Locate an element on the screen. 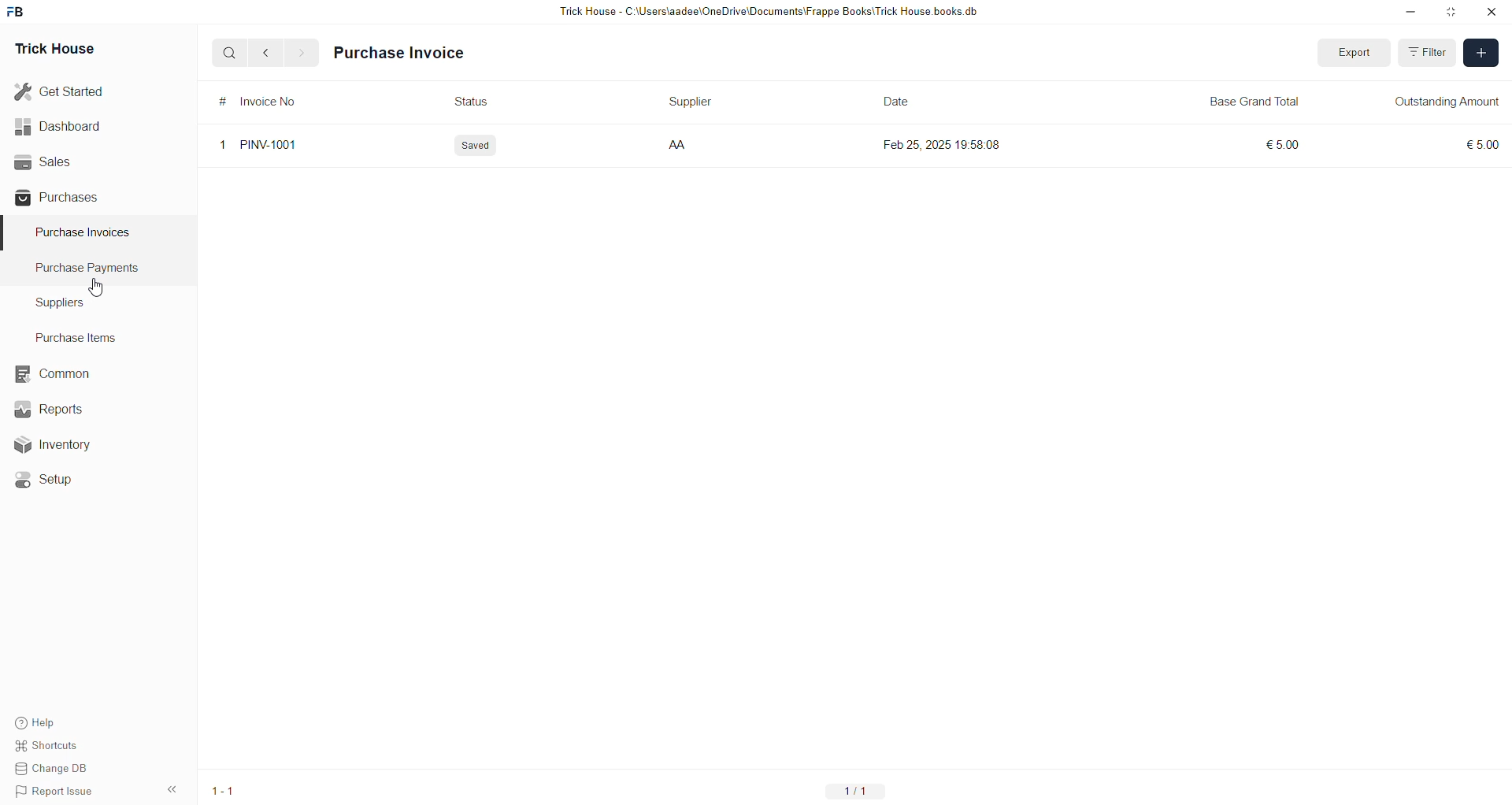 The width and height of the screenshot is (1512, 805). # Invoice No is located at coordinates (258, 102).